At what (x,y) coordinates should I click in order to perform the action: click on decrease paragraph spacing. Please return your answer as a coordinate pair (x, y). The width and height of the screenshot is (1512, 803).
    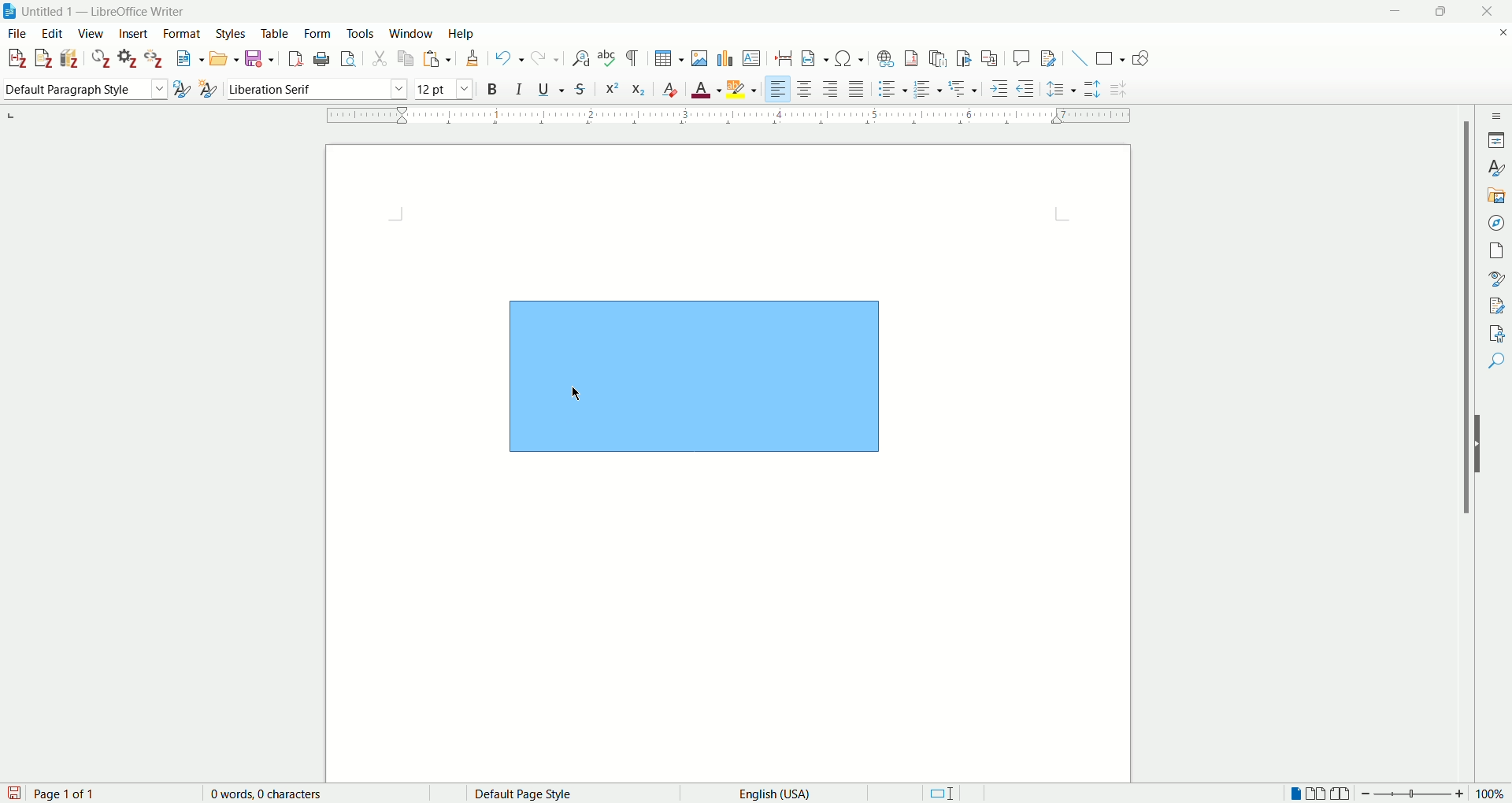
    Looking at the image, I should click on (1119, 89).